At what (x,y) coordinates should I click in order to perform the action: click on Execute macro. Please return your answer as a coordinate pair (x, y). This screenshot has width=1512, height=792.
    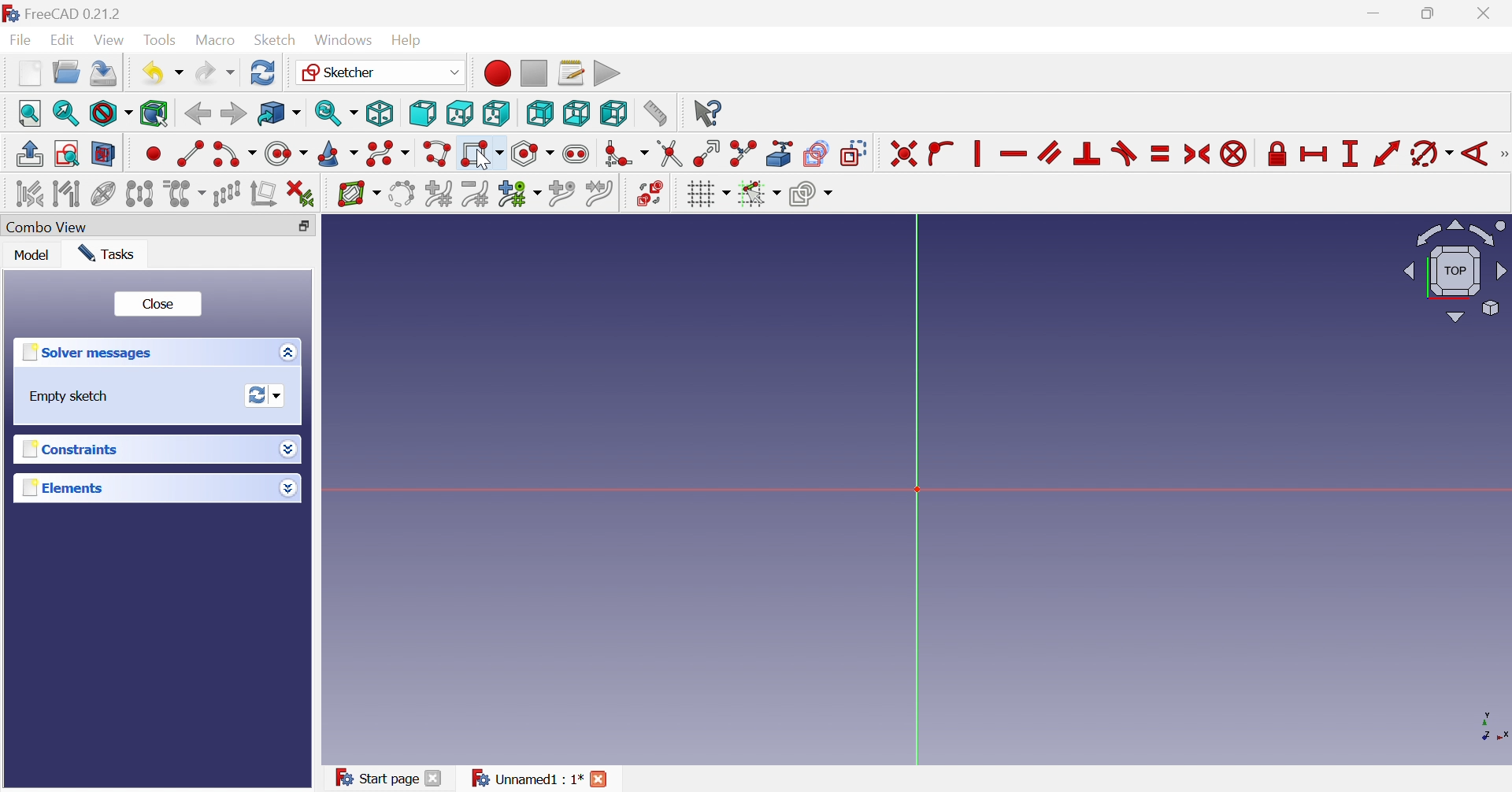
    Looking at the image, I should click on (607, 74).